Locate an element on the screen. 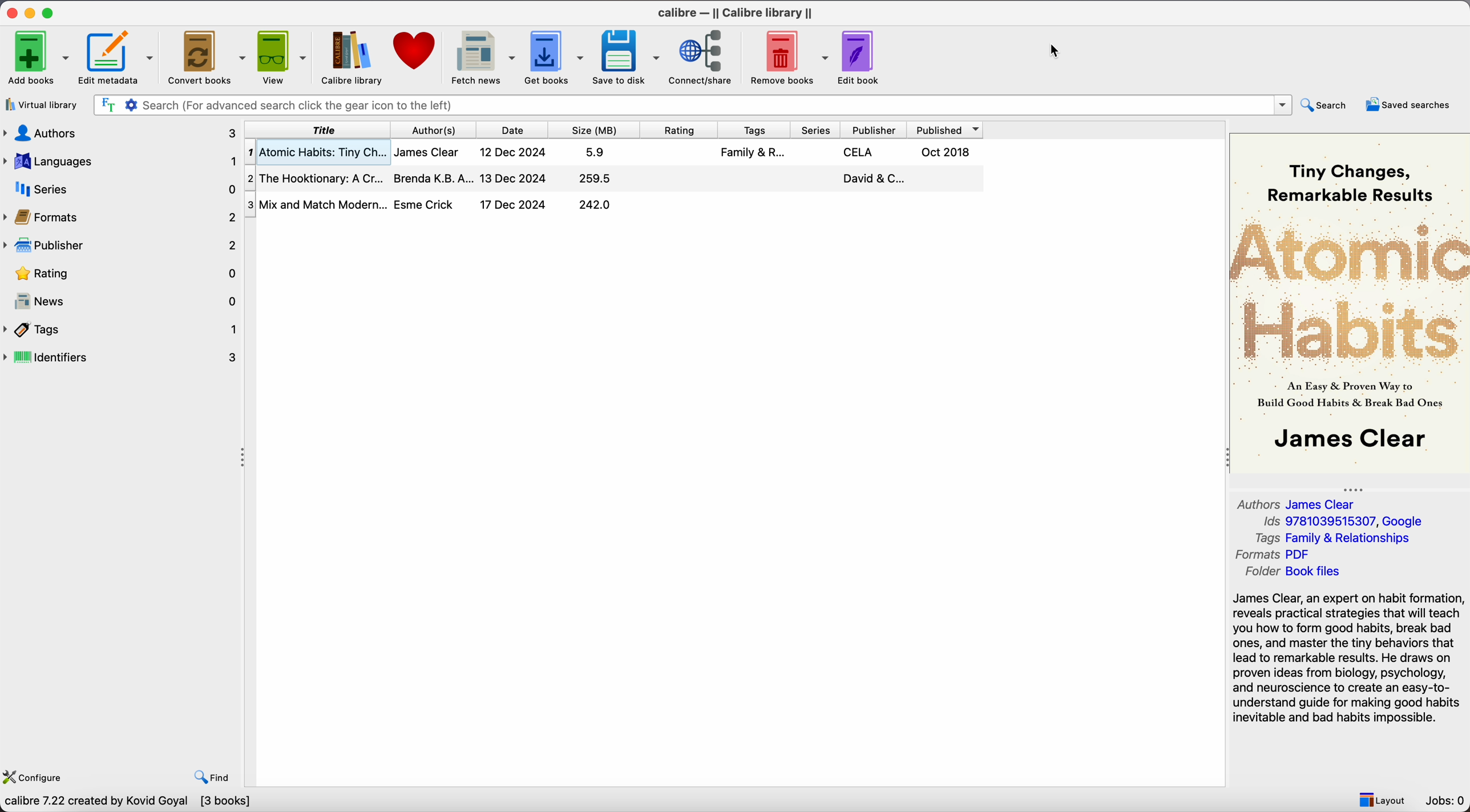 This screenshot has height=812, width=1470. Formats Pdf is located at coordinates (1275, 555).